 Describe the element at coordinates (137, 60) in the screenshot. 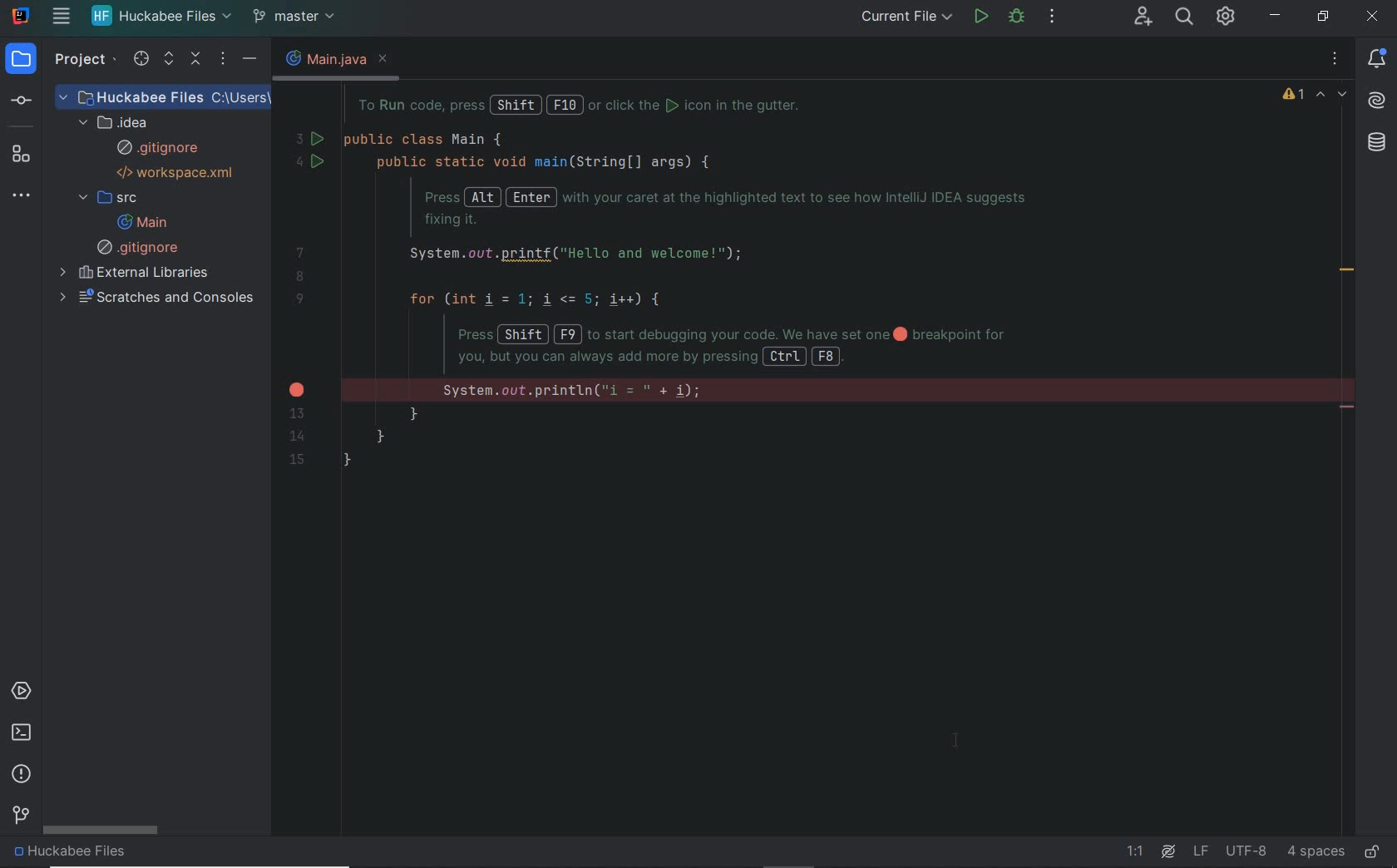

I see `select opened file` at that location.